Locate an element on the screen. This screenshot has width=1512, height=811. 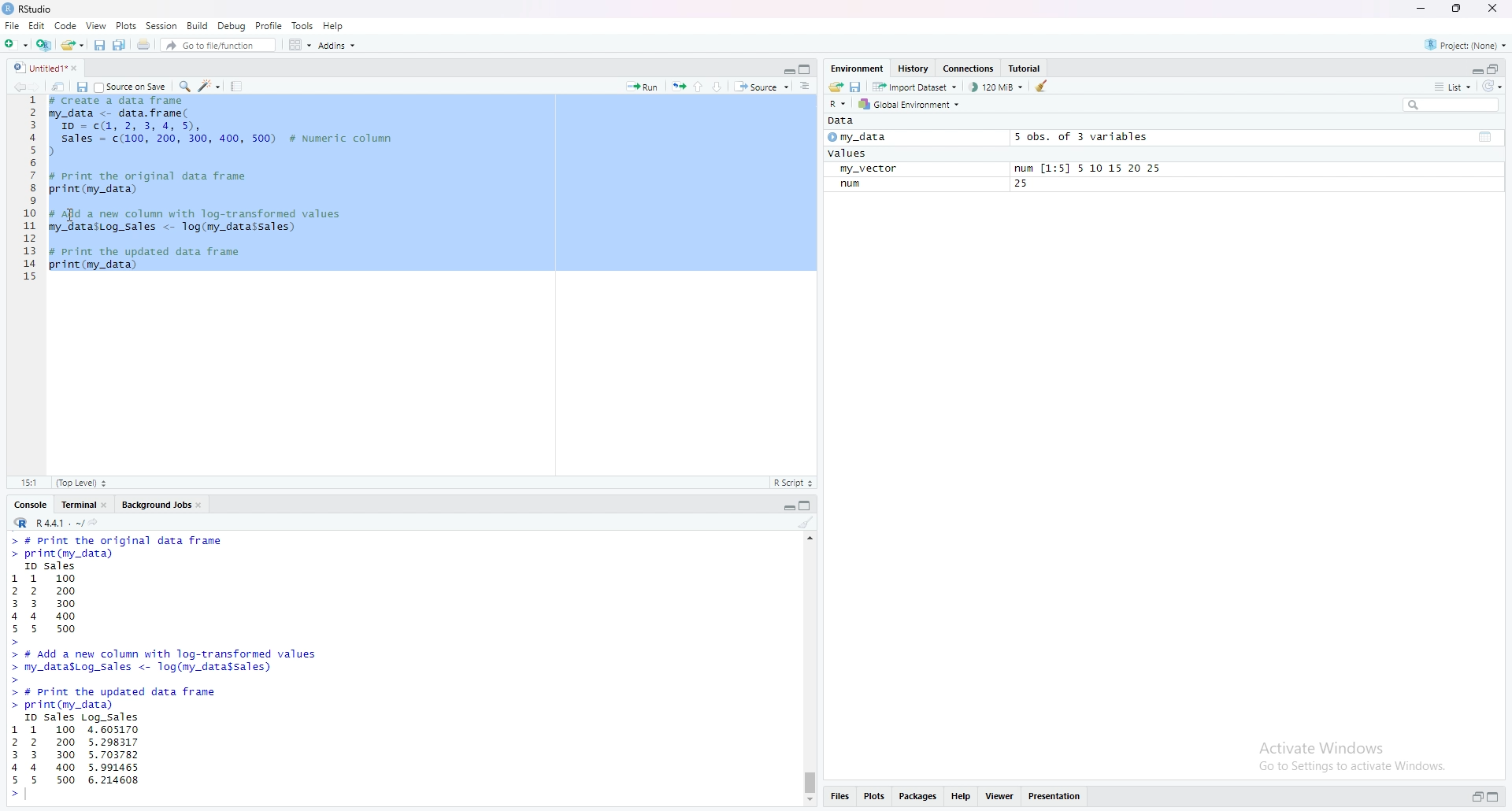
typing cursor is located at coordinates (35, 797).